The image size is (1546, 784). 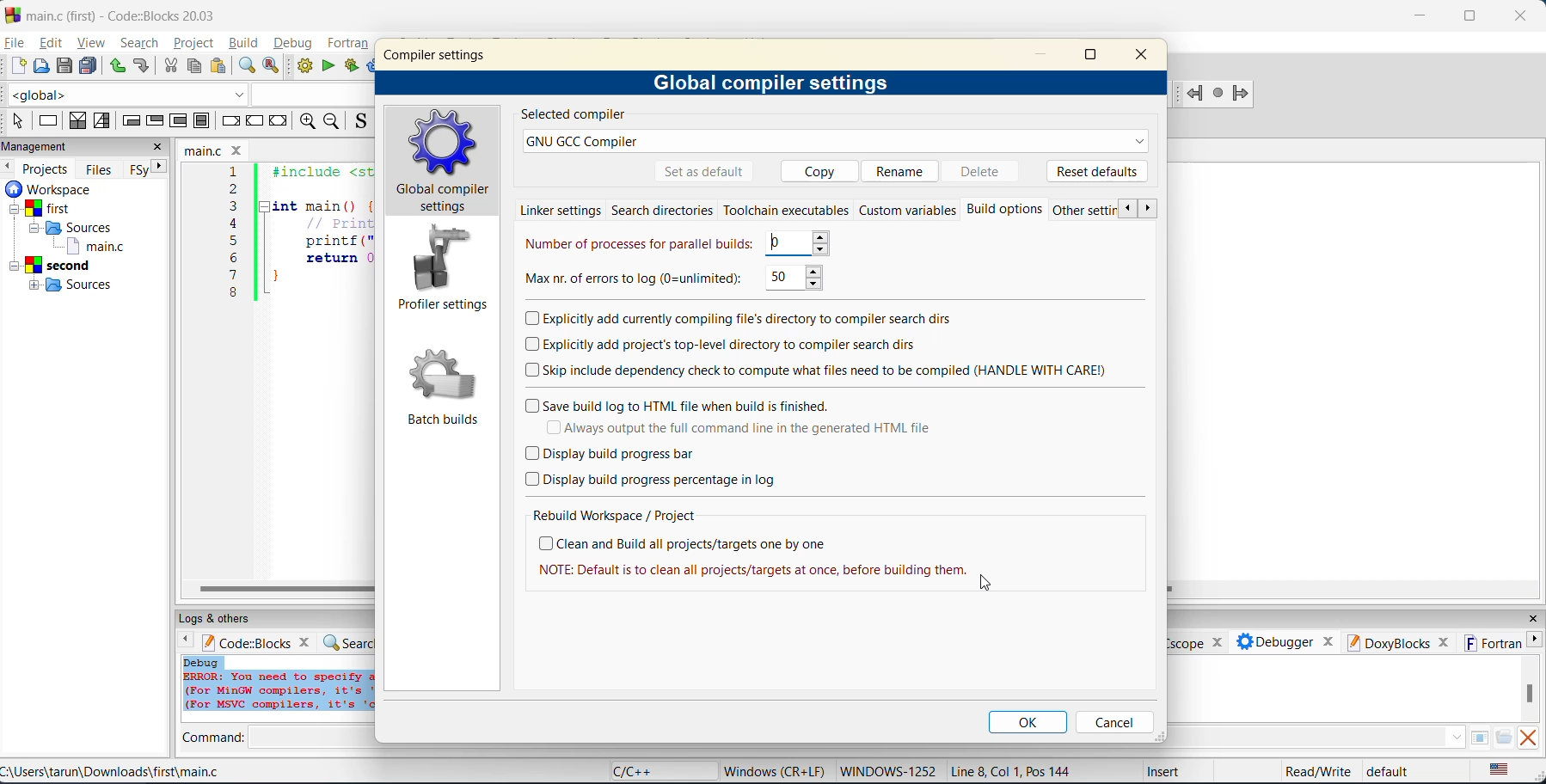 I want to click on minimize, so click(x=1047, y=55).